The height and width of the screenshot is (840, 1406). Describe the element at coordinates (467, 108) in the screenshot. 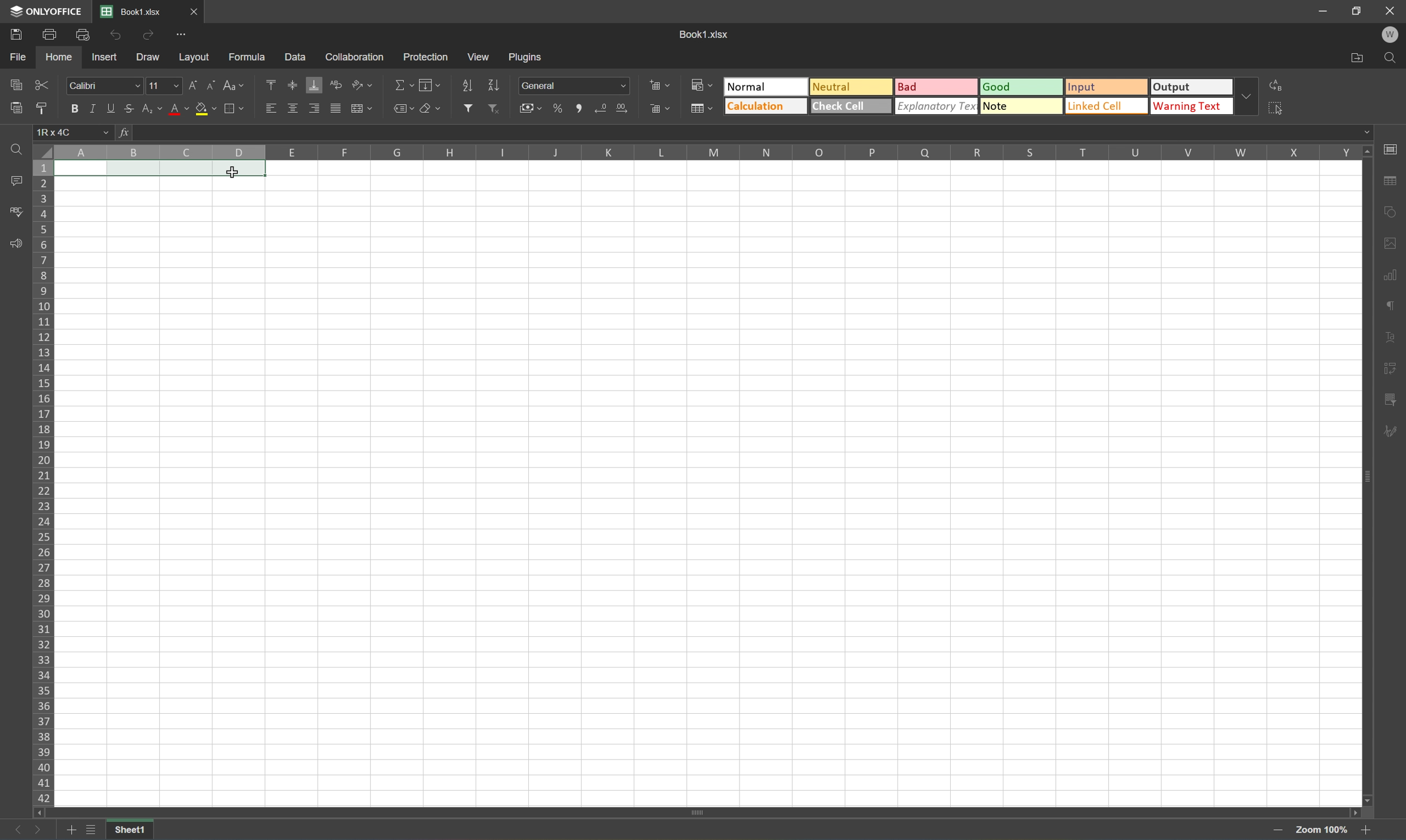

I see `Filter` at that location.